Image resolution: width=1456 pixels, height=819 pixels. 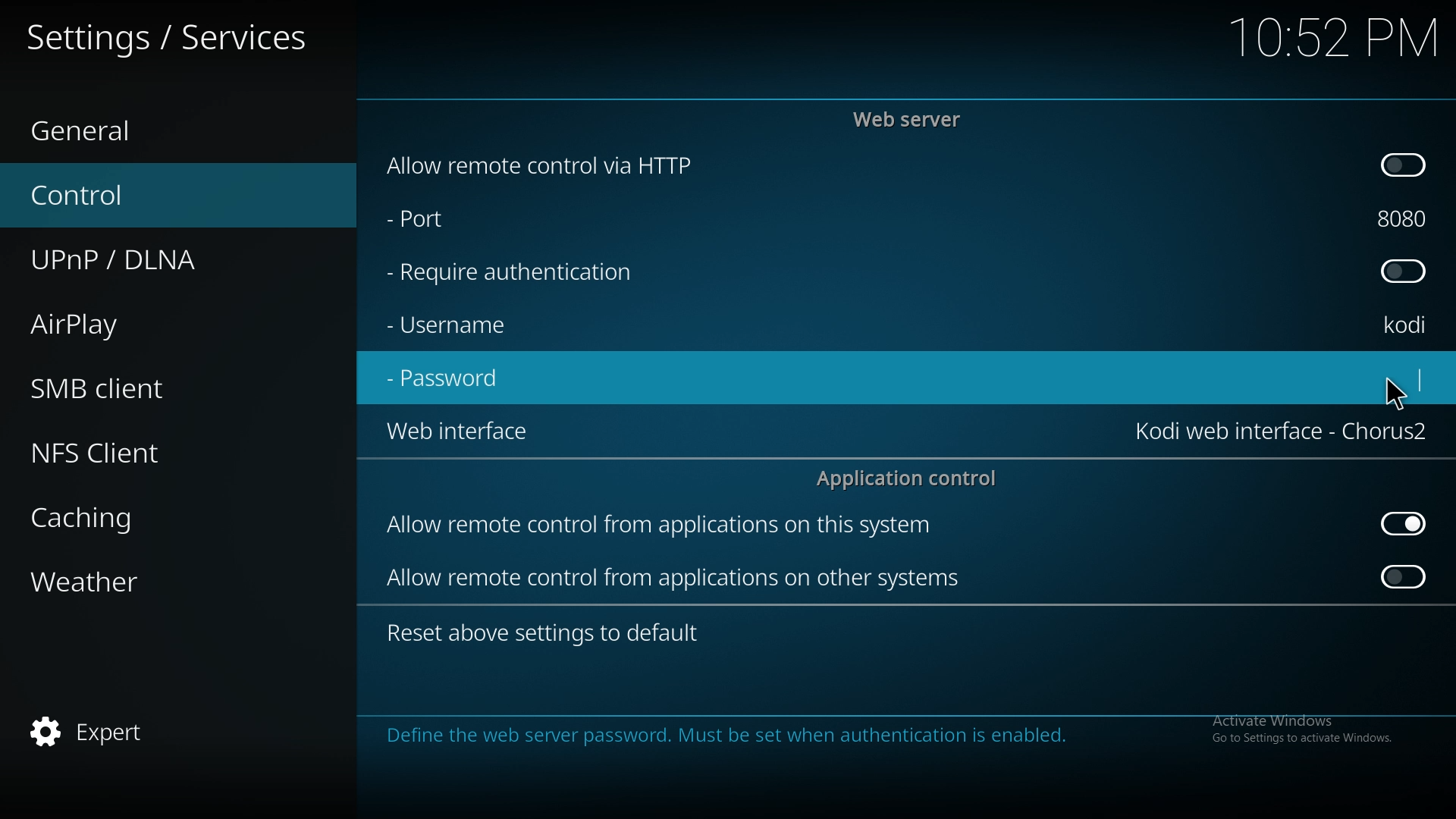 What do you see at coordinates (884, 736) in the screenshot?
I see `info` at bounding box center [884, 736].